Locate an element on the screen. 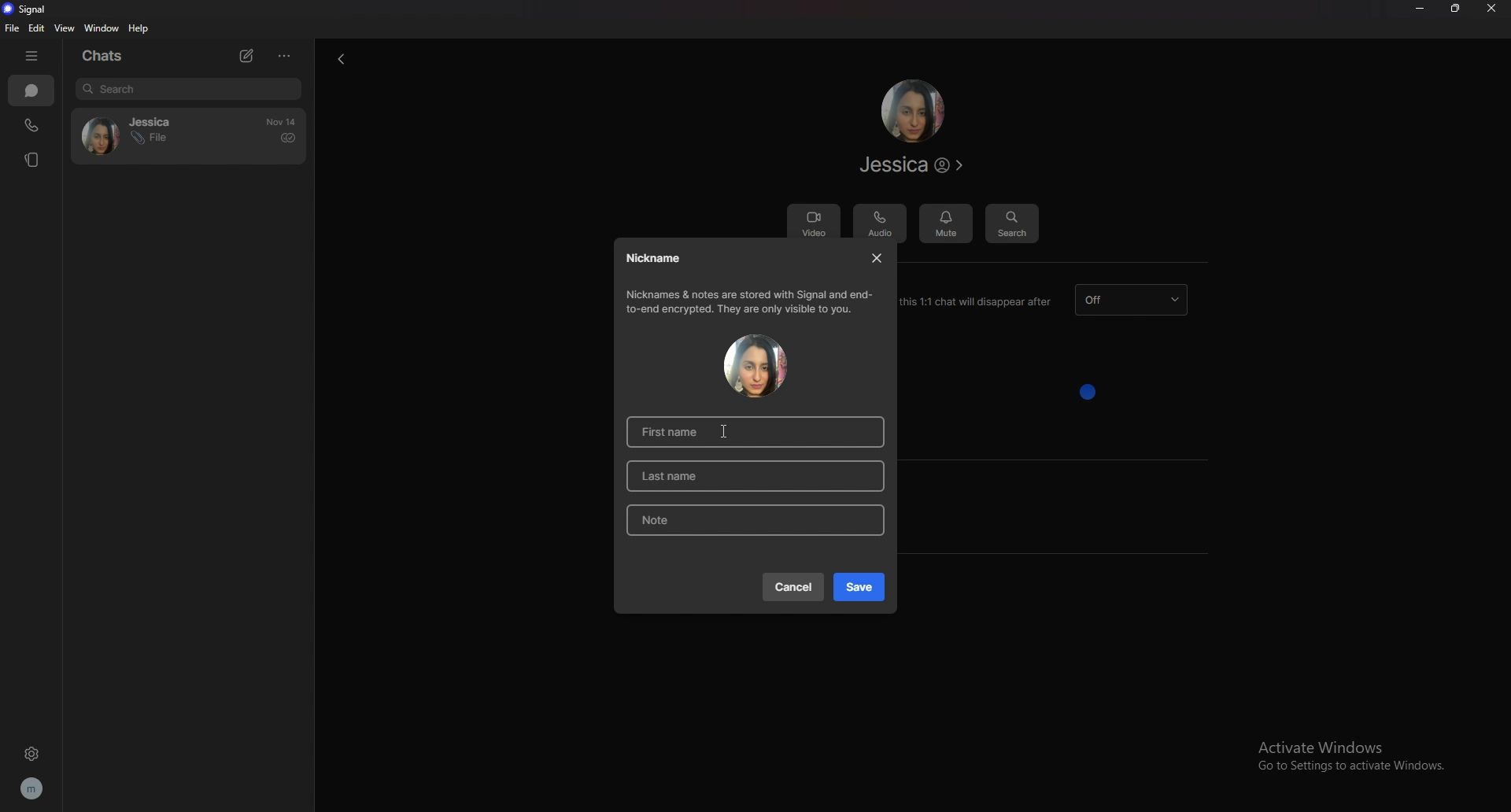 The image size is (1511, 812). save is located at coordinates (859, 587).